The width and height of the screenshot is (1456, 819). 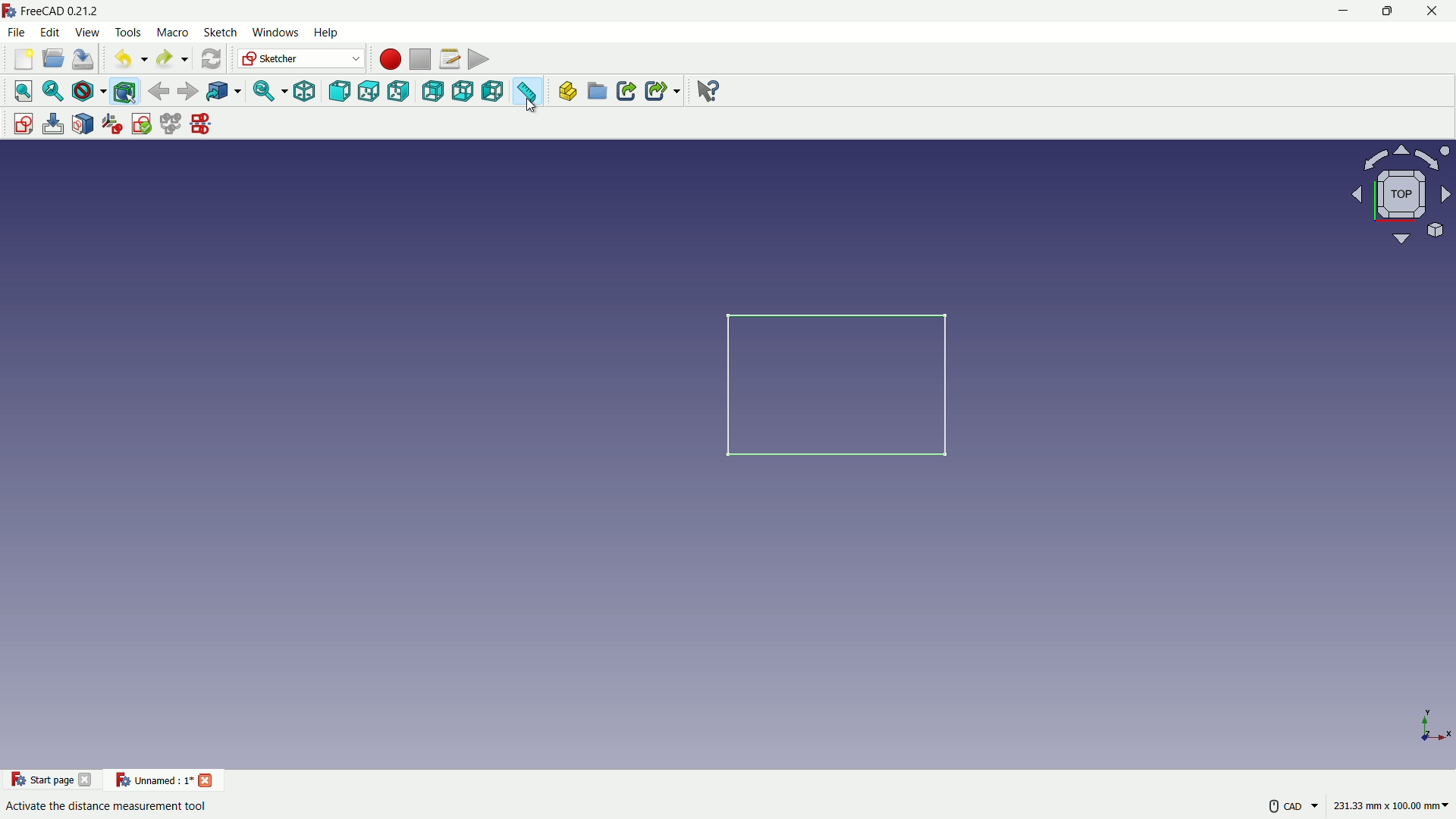 What do you see at coordinates (275, 32) in the screenshot?
I see `windows menu` at bounding box center [275, 32].